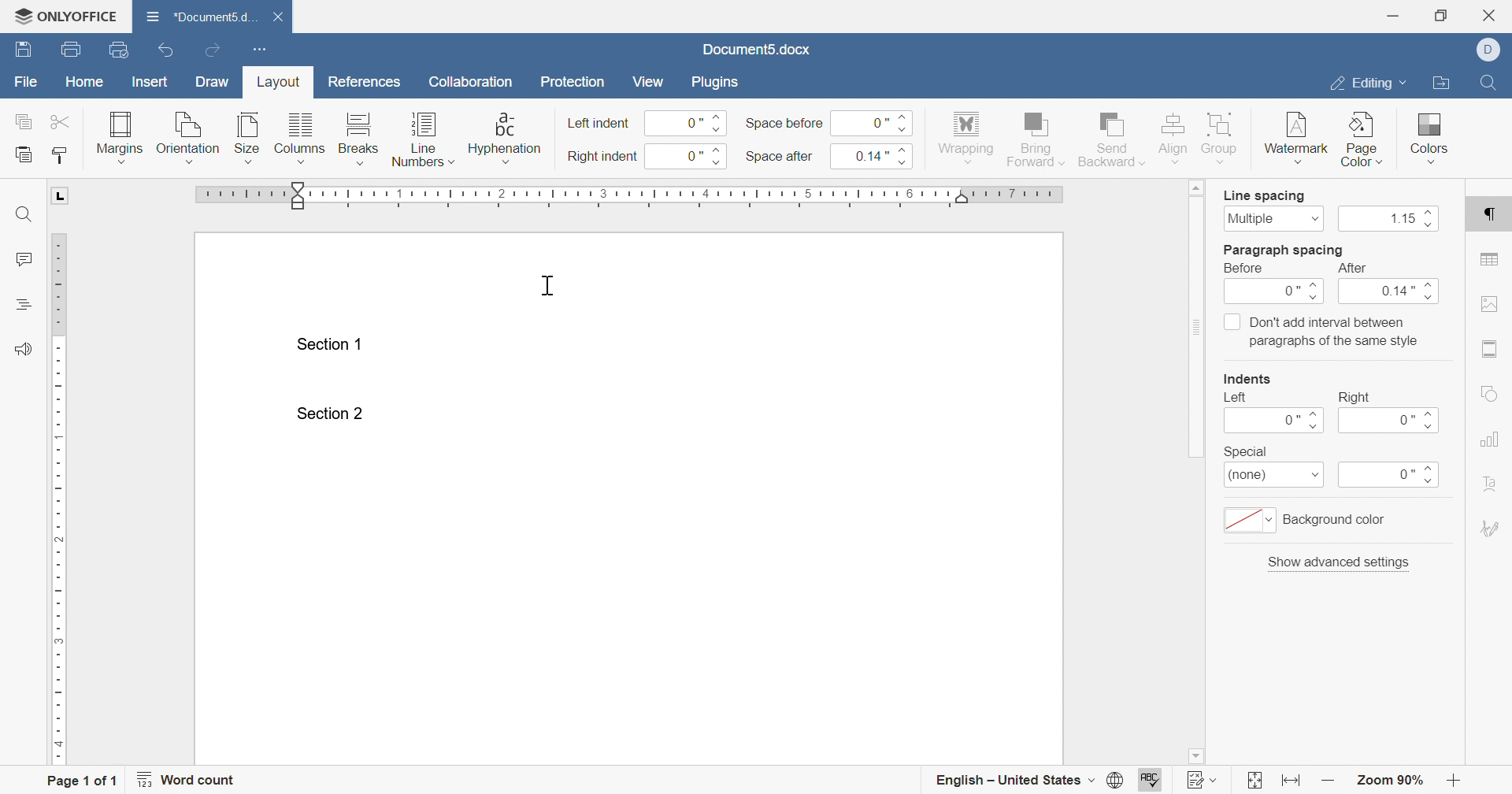 The width and height of the screenshot is (1512, 794). I want to click on after, so click(1351, 269).